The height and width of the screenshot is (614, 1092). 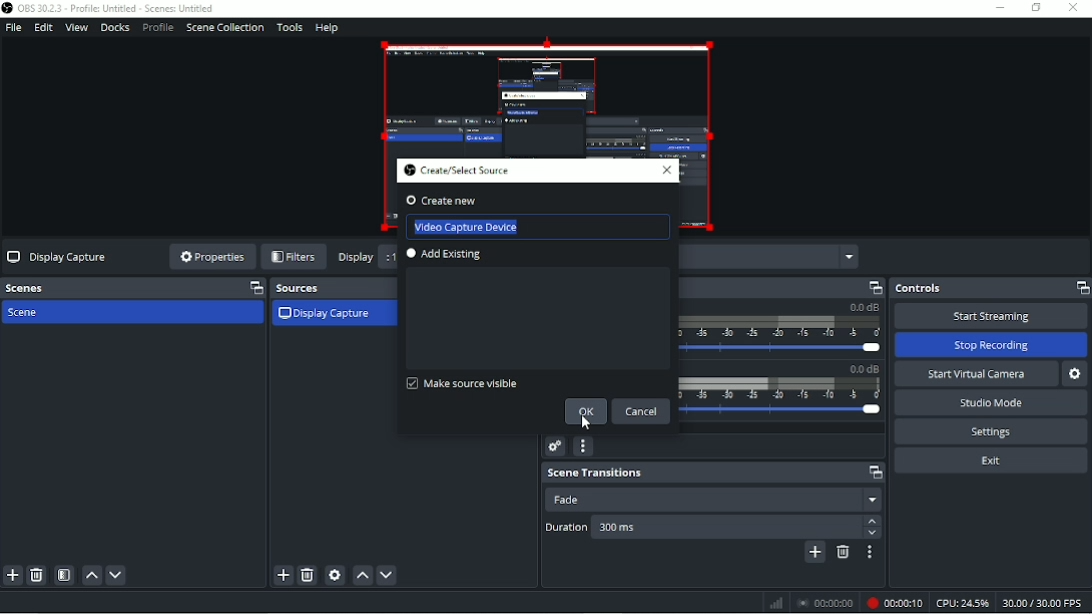 I want to click on Open source properties, so click(x=334, y=575).